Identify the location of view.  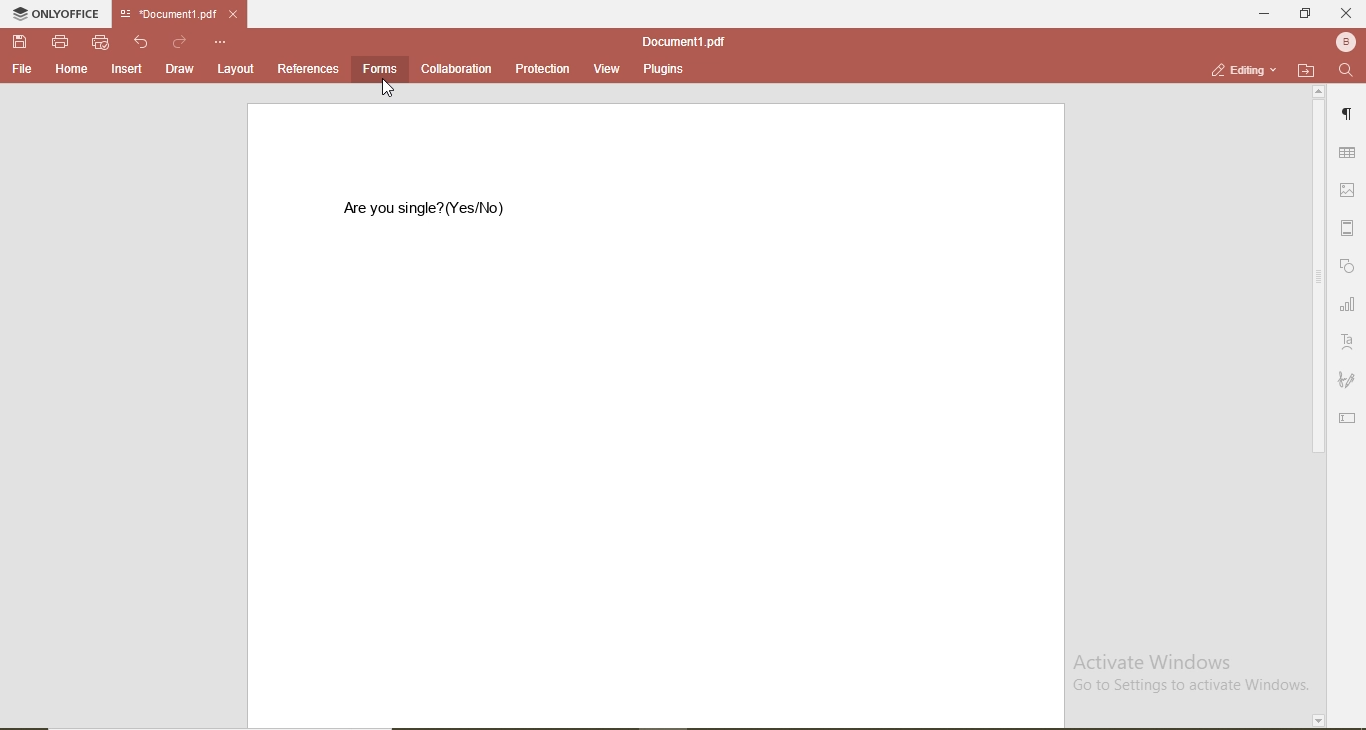
(607, 69).